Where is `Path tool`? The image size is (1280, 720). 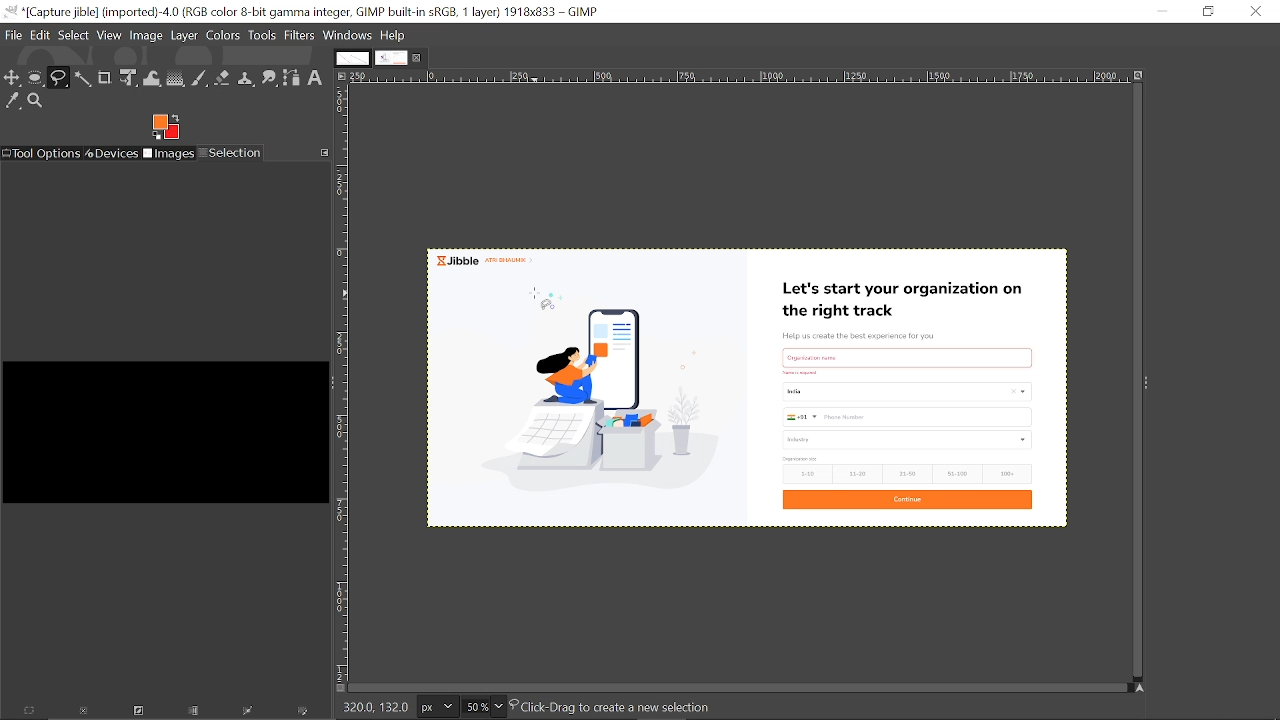 Path tool is located at coordinates (293, 78).